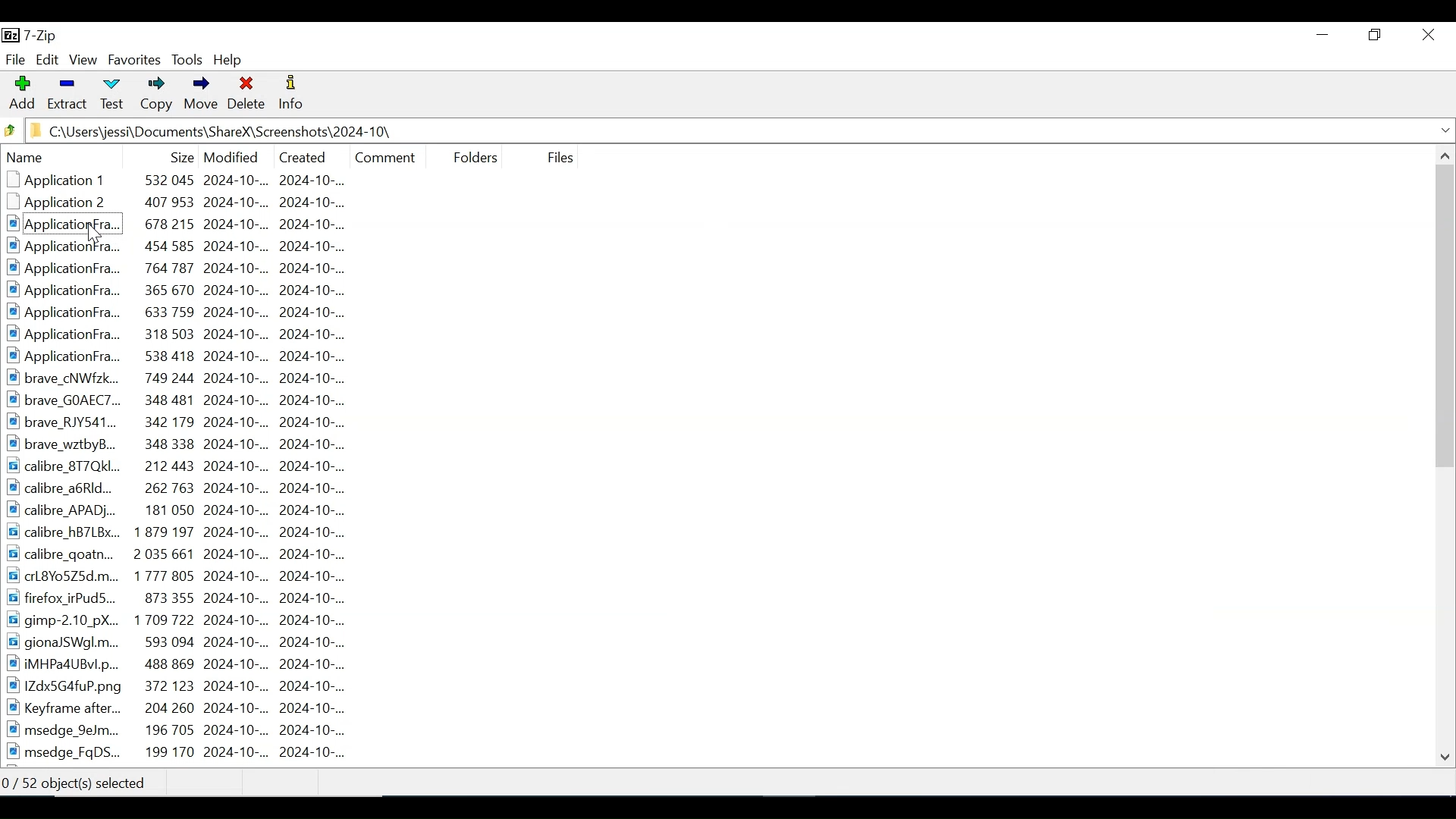 This screenshot has width=1456, height=819. Describe the element at coordinates (195, 443) in the screenshot. I see ` brave_wztbyB... 348 338 2024-10-... 2024-10-...` at that location.